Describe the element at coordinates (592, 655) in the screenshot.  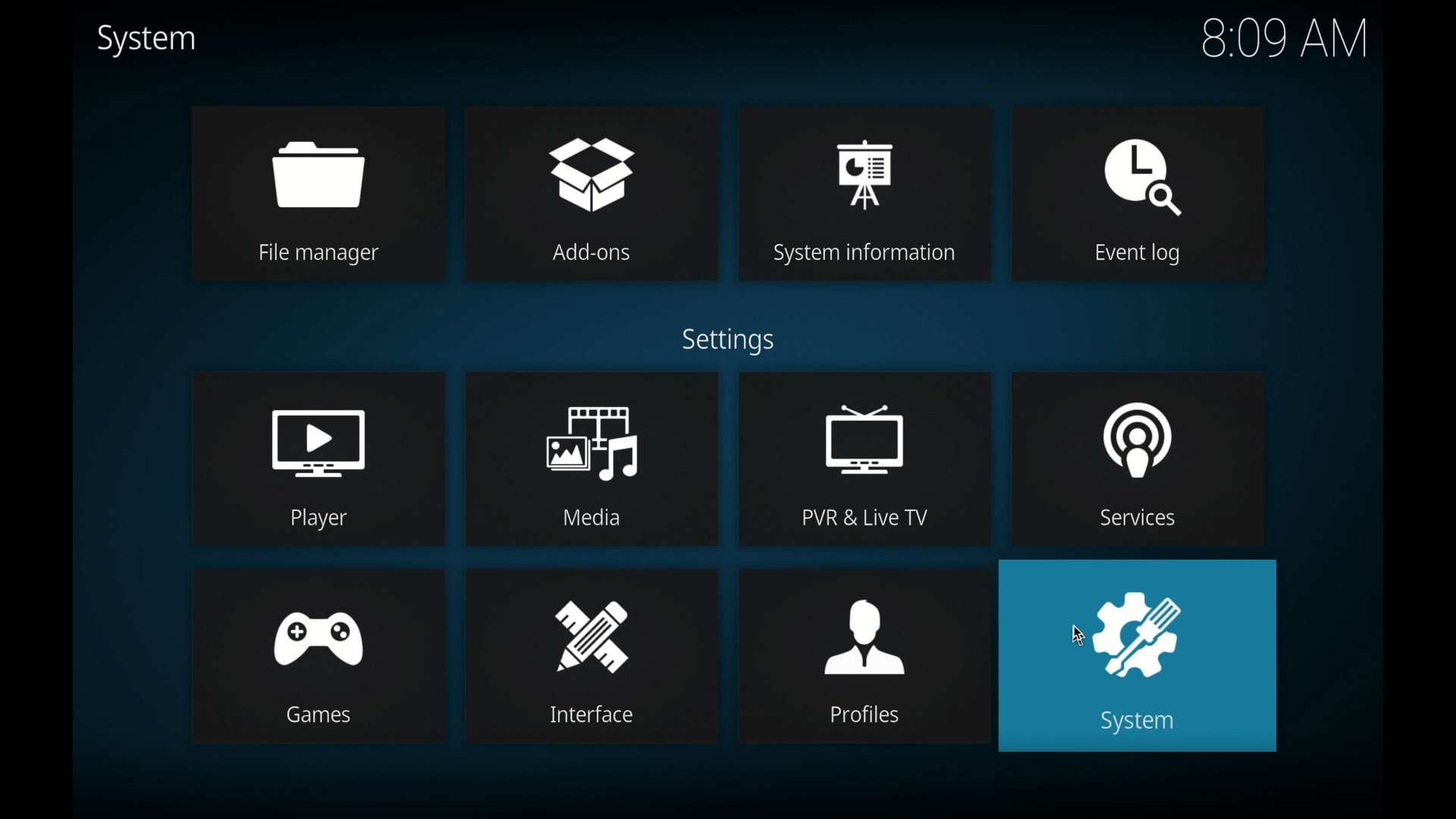
I see `interface` at that location.